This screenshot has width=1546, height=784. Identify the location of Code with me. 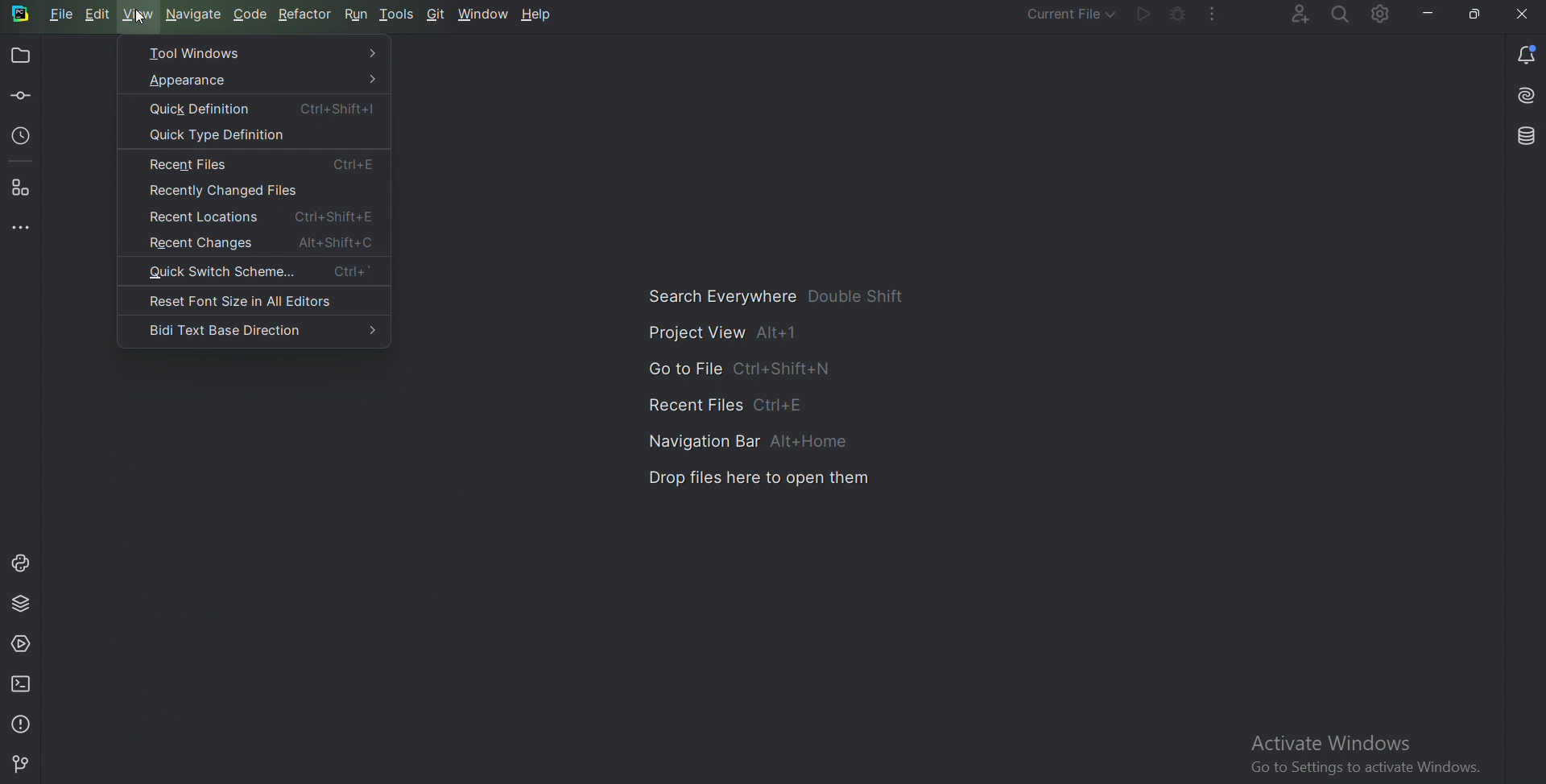
(1299, 14).